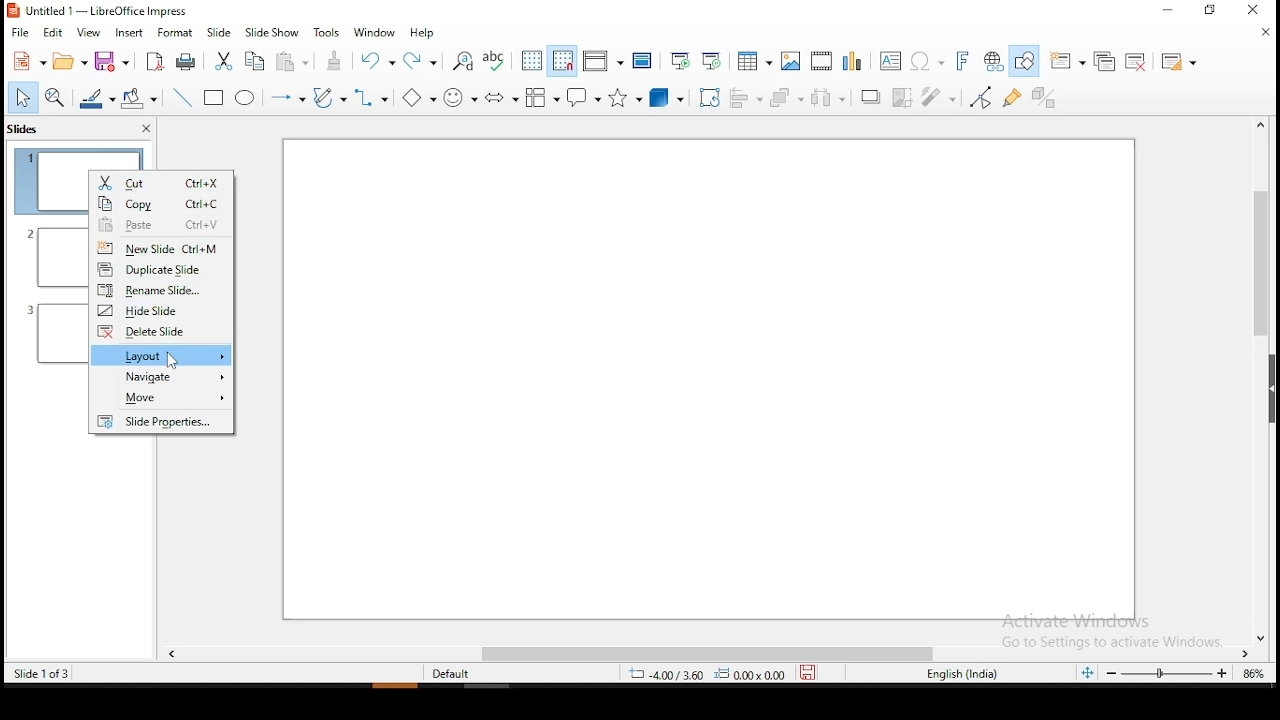 This screenshot has height=720, width=1280. I want to click on zoom and pan, so click(57, 98).